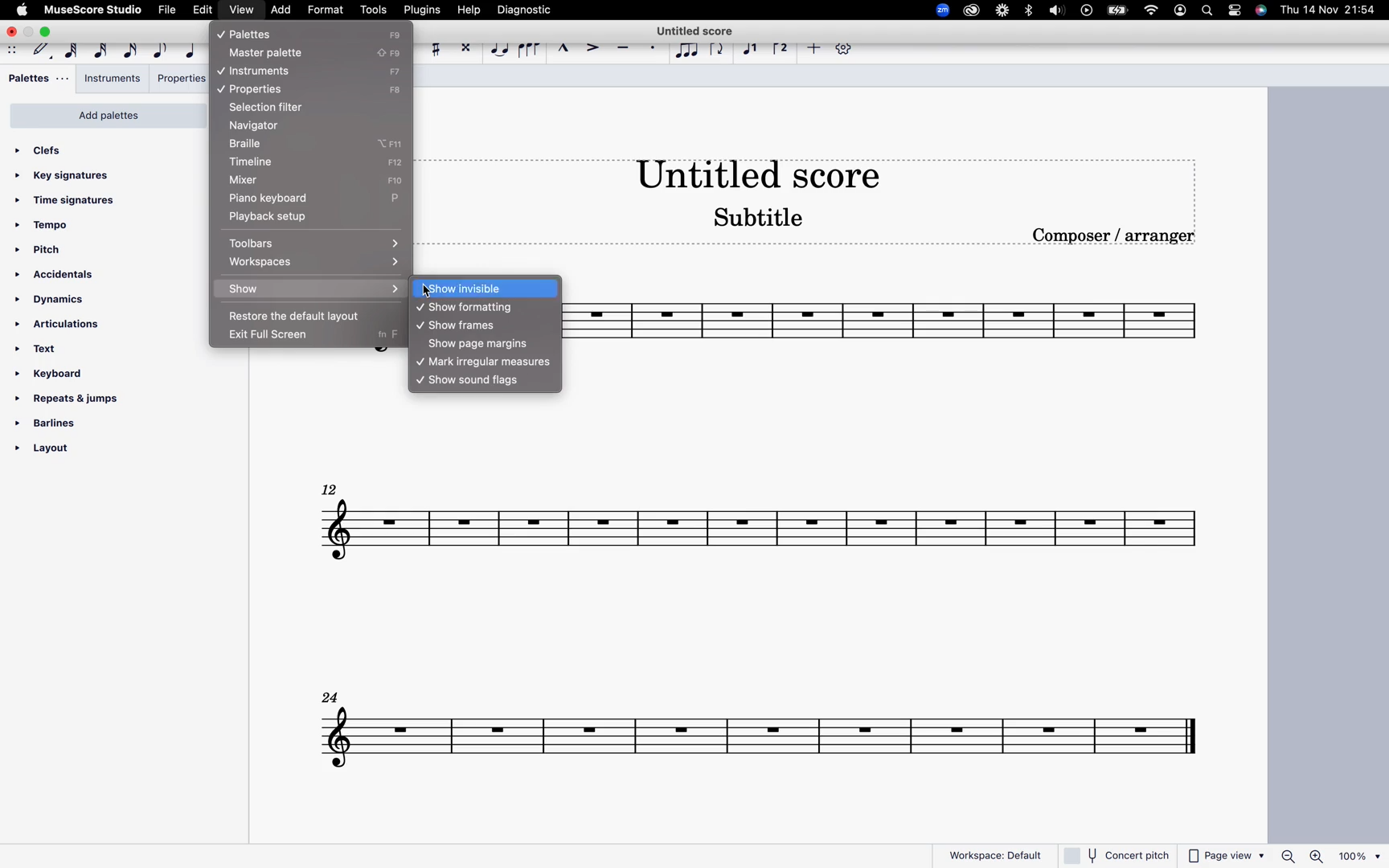 Image resolution: width=1389 pixels, height=868 pixels. Describe the element at coordinates (391, 54) in the screenshot. I see `F9` at that location.